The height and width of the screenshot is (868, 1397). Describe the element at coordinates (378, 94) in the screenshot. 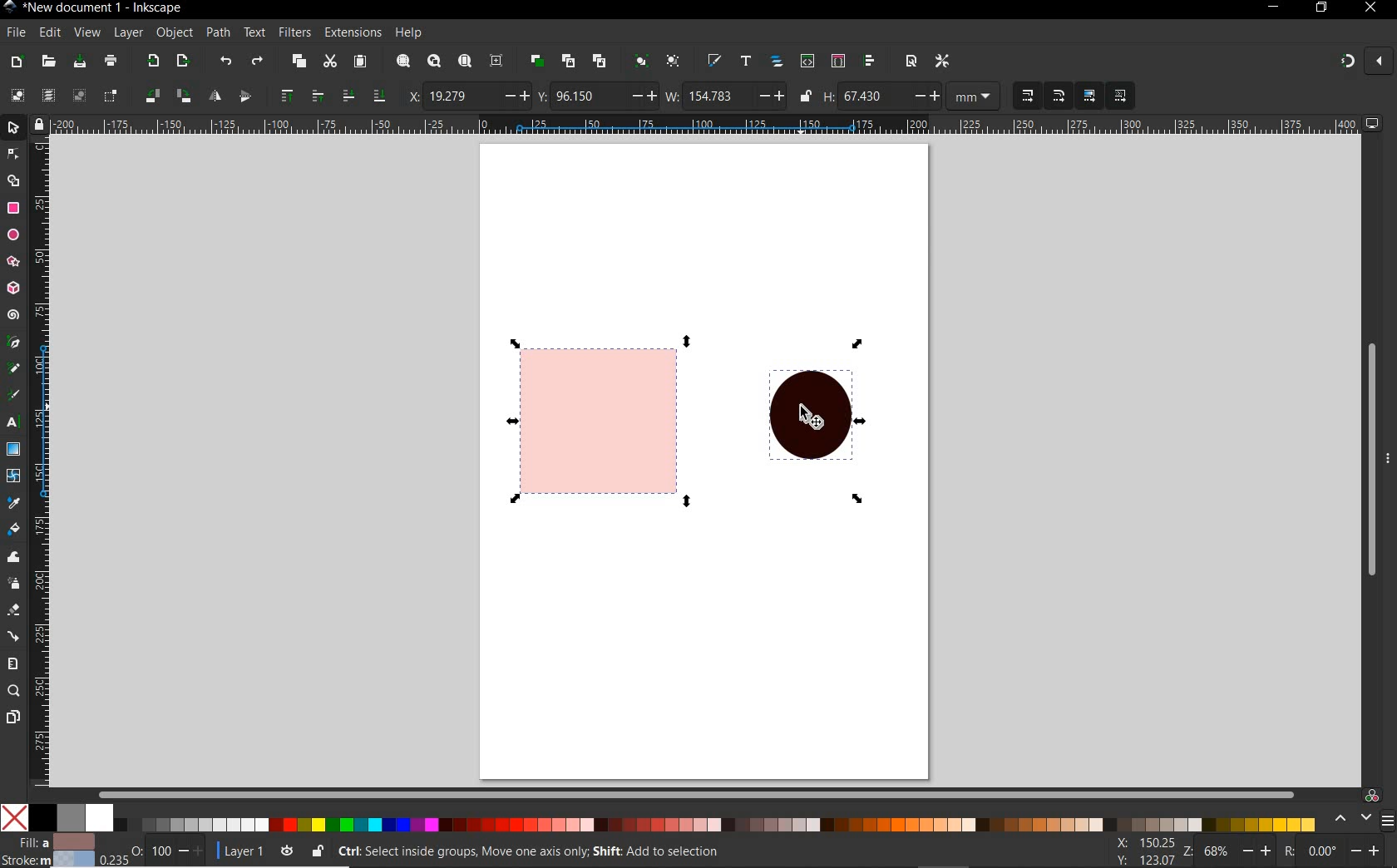

I see `lower to bottom` at that location.